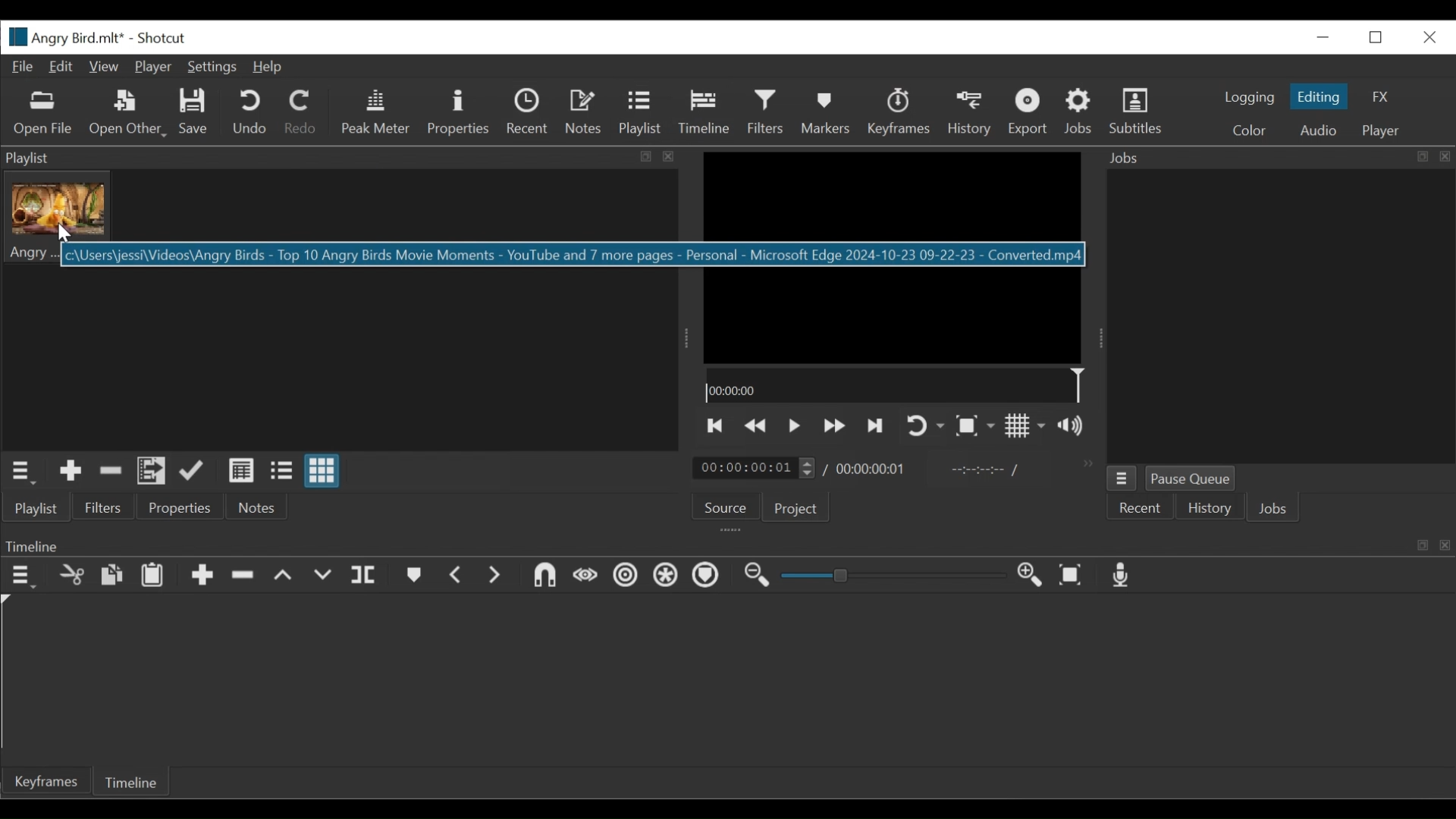 This screenshot has height=819, width=1456. Describe the element at coordinates (1385, 99) in the screenshot. I see `FX` at that location.